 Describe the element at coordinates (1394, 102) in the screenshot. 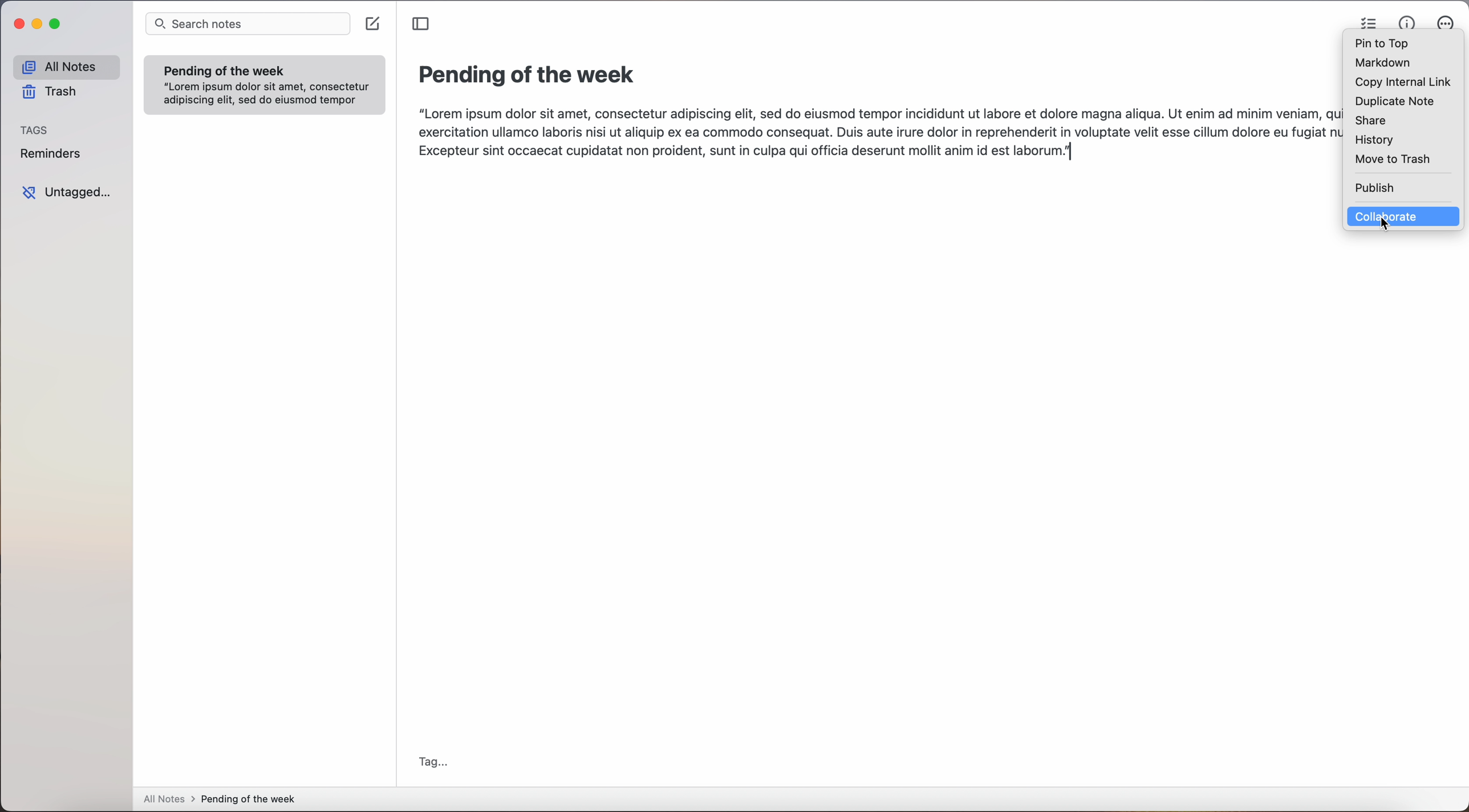

I see `duplicate note` at that location.